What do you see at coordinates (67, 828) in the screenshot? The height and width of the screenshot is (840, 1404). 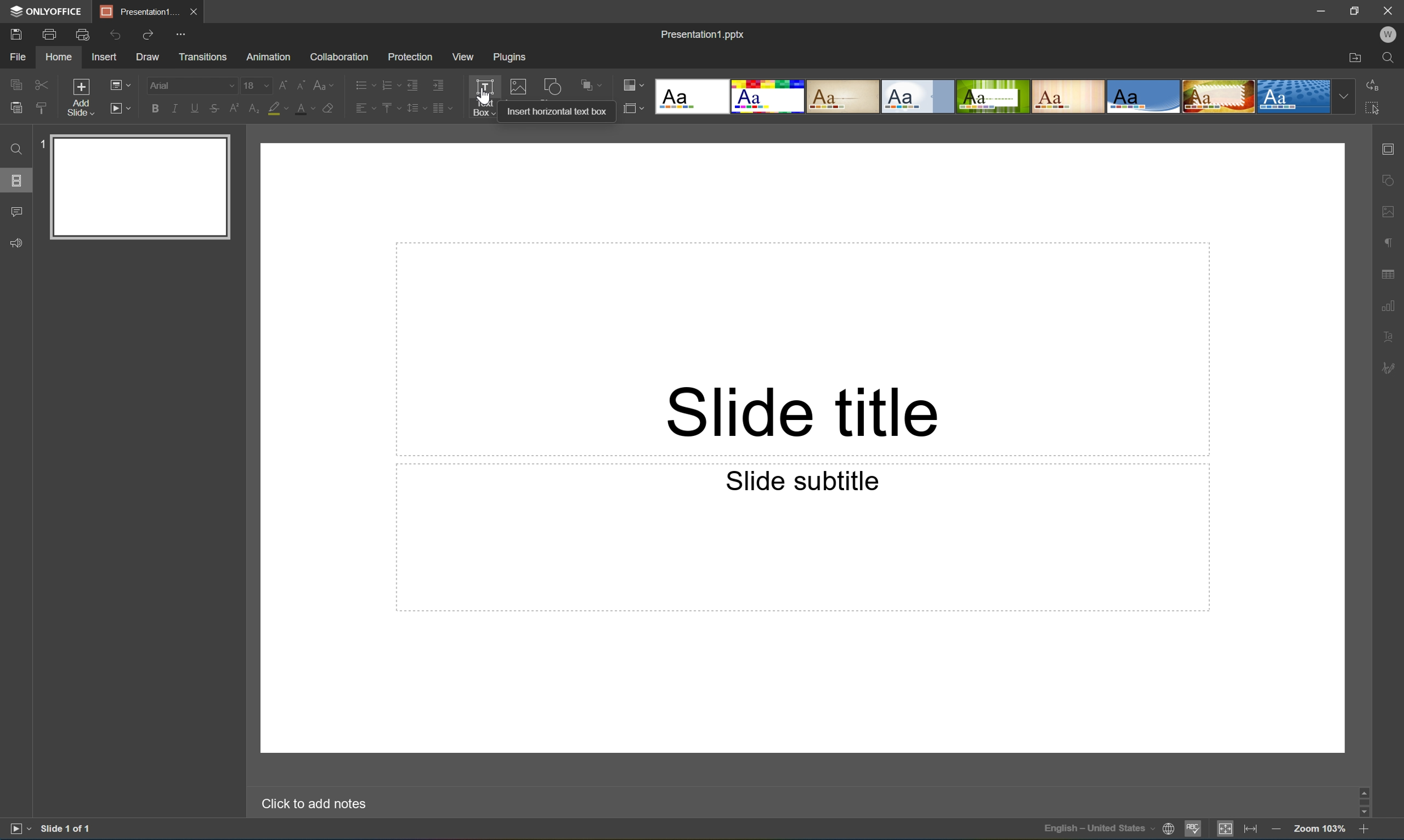 I see `Slide 1 of 1` at bounding box center [67, 828].